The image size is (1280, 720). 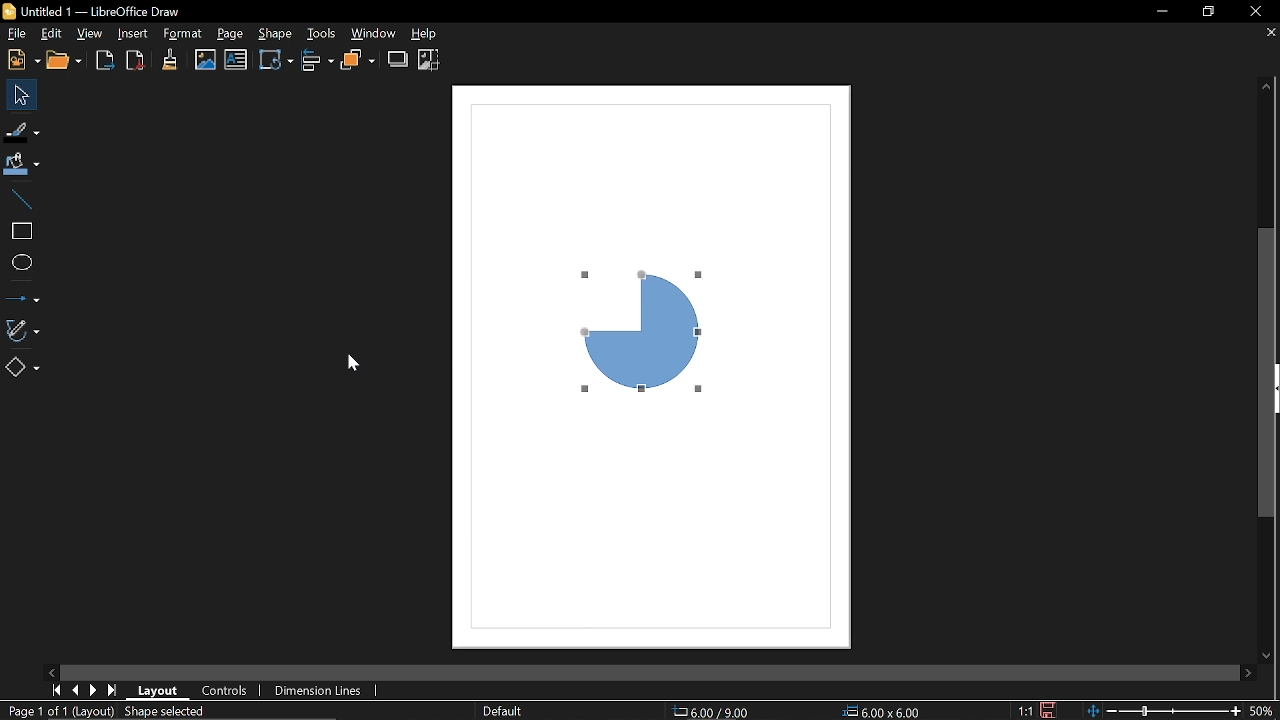 I want to click on Current document, so click(x=95, y=11).